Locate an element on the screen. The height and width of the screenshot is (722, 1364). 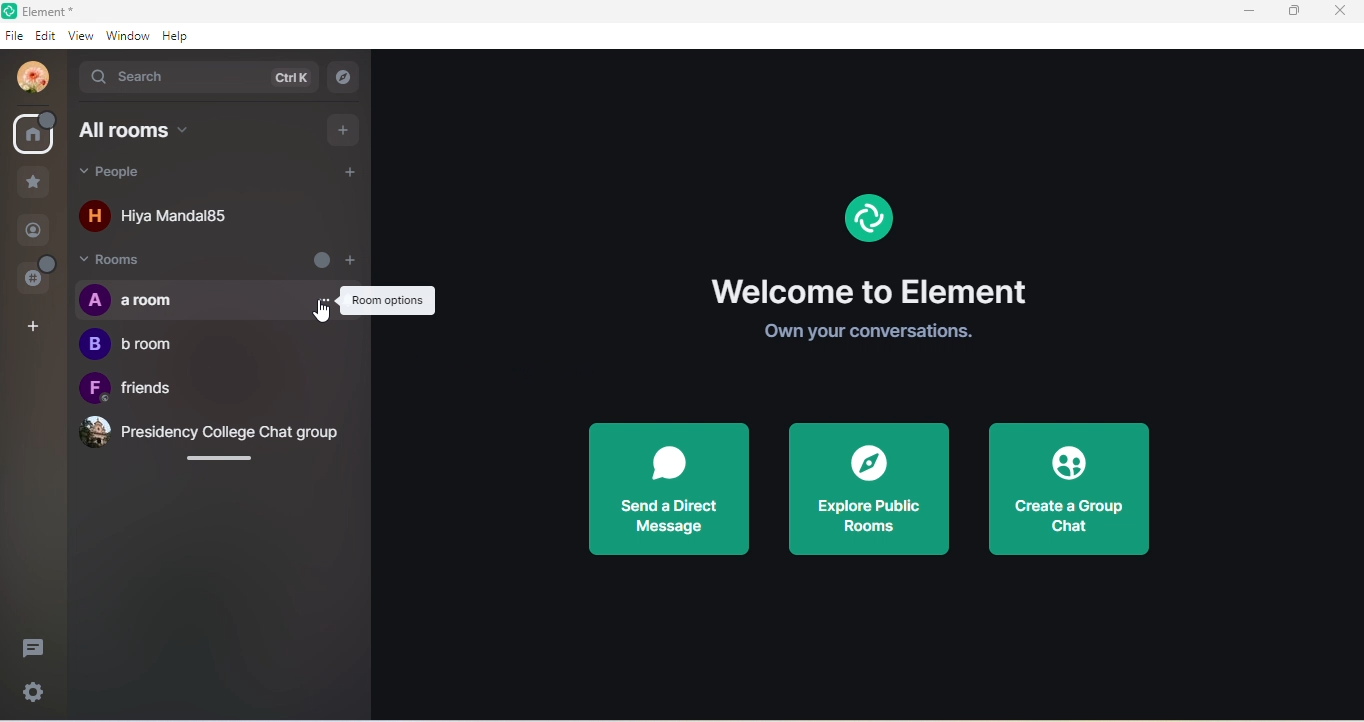
b room is located at coordinates (131, 347).